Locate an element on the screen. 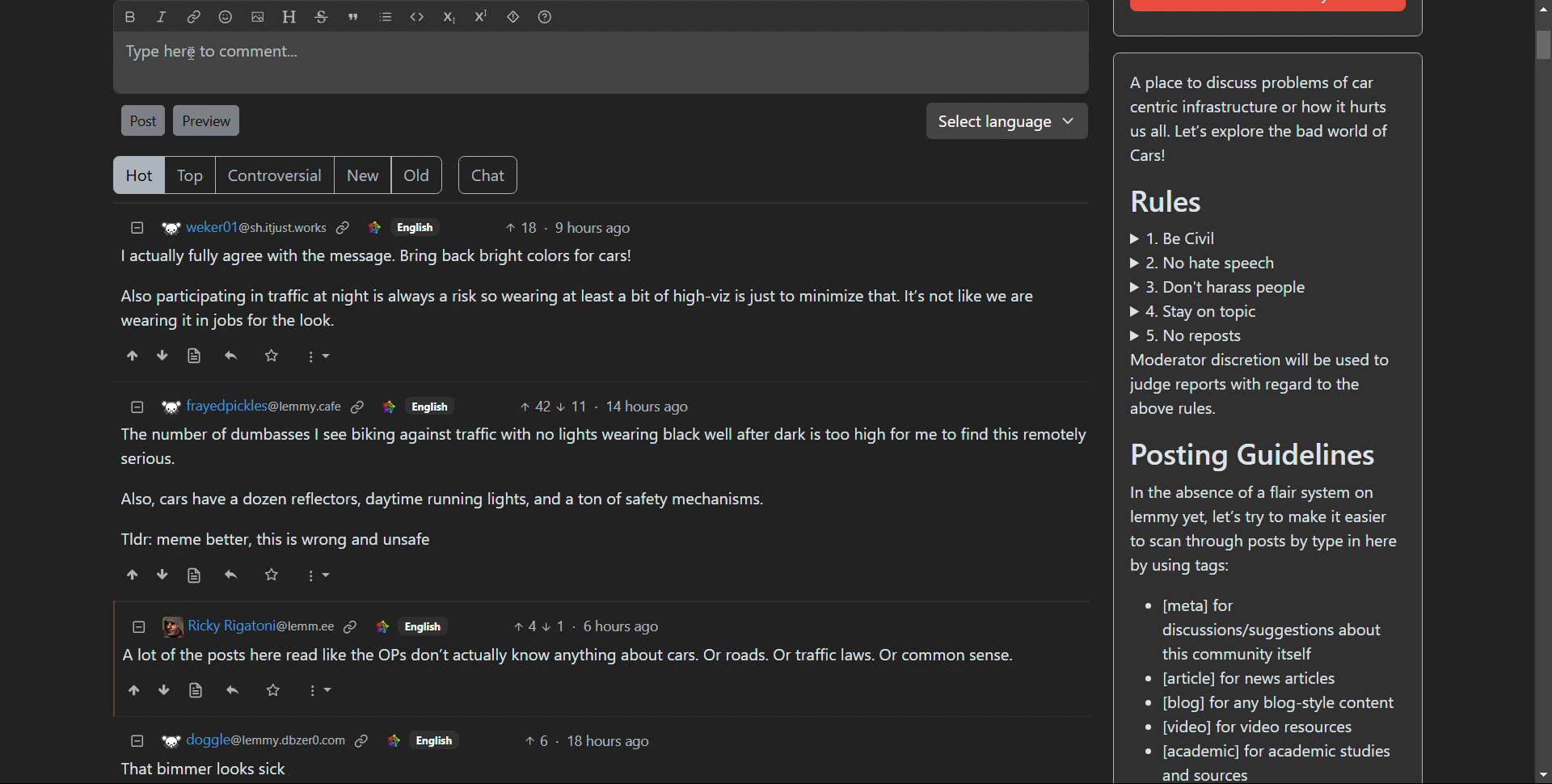  The number of dumbasses | see biking against traffic with no lights wearing black well after dark is too high for me to find this remotely
serious.

Also, cars have a dozen reflectors, daytime running lights, and a ton of safety mechanisms.

Tldr: meme better, this is wrong and unsafe is located at coordinates (605, 488).